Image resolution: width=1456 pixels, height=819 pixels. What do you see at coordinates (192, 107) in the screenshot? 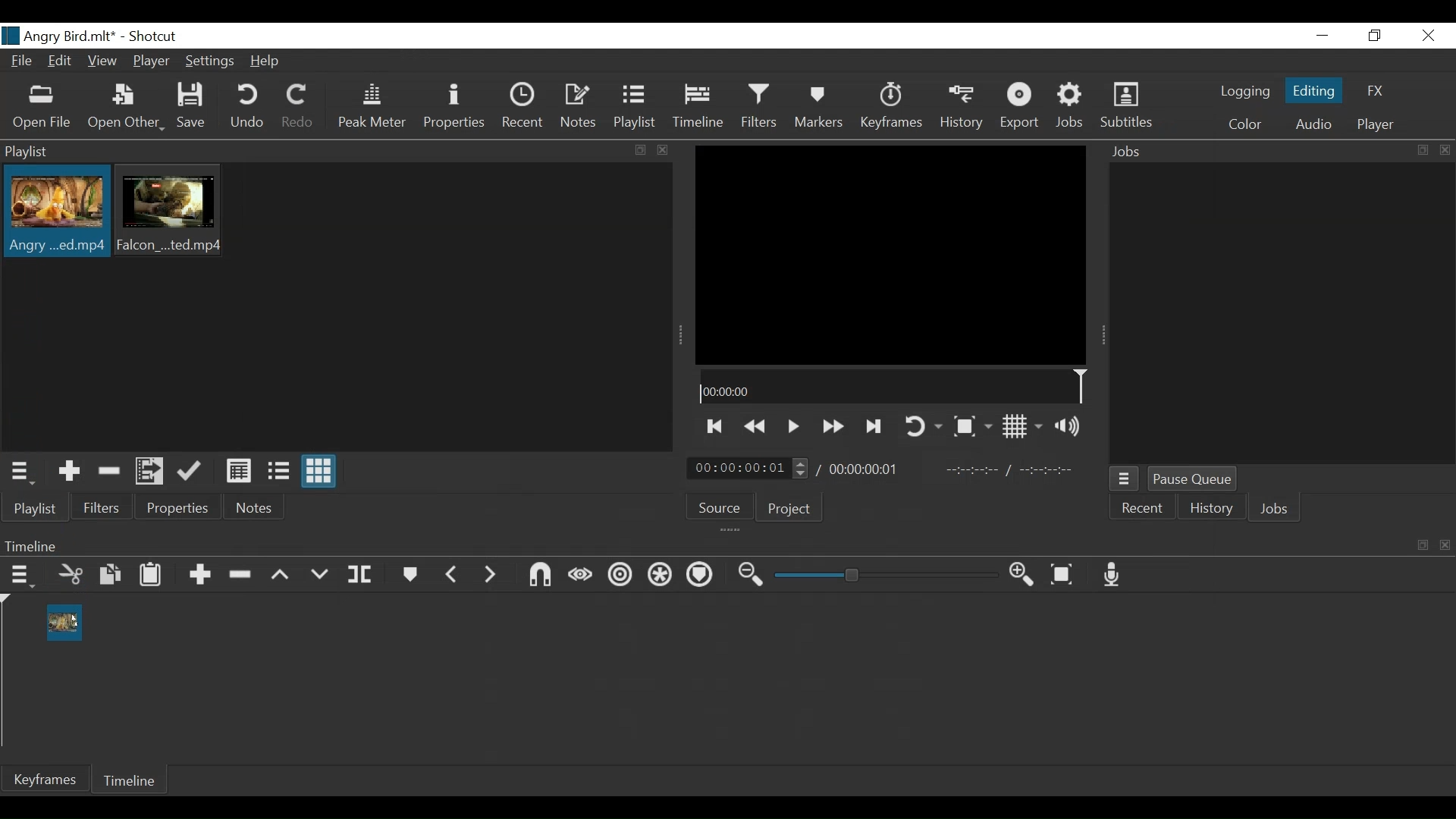
I see `Save` at bounding box center [192, 107].